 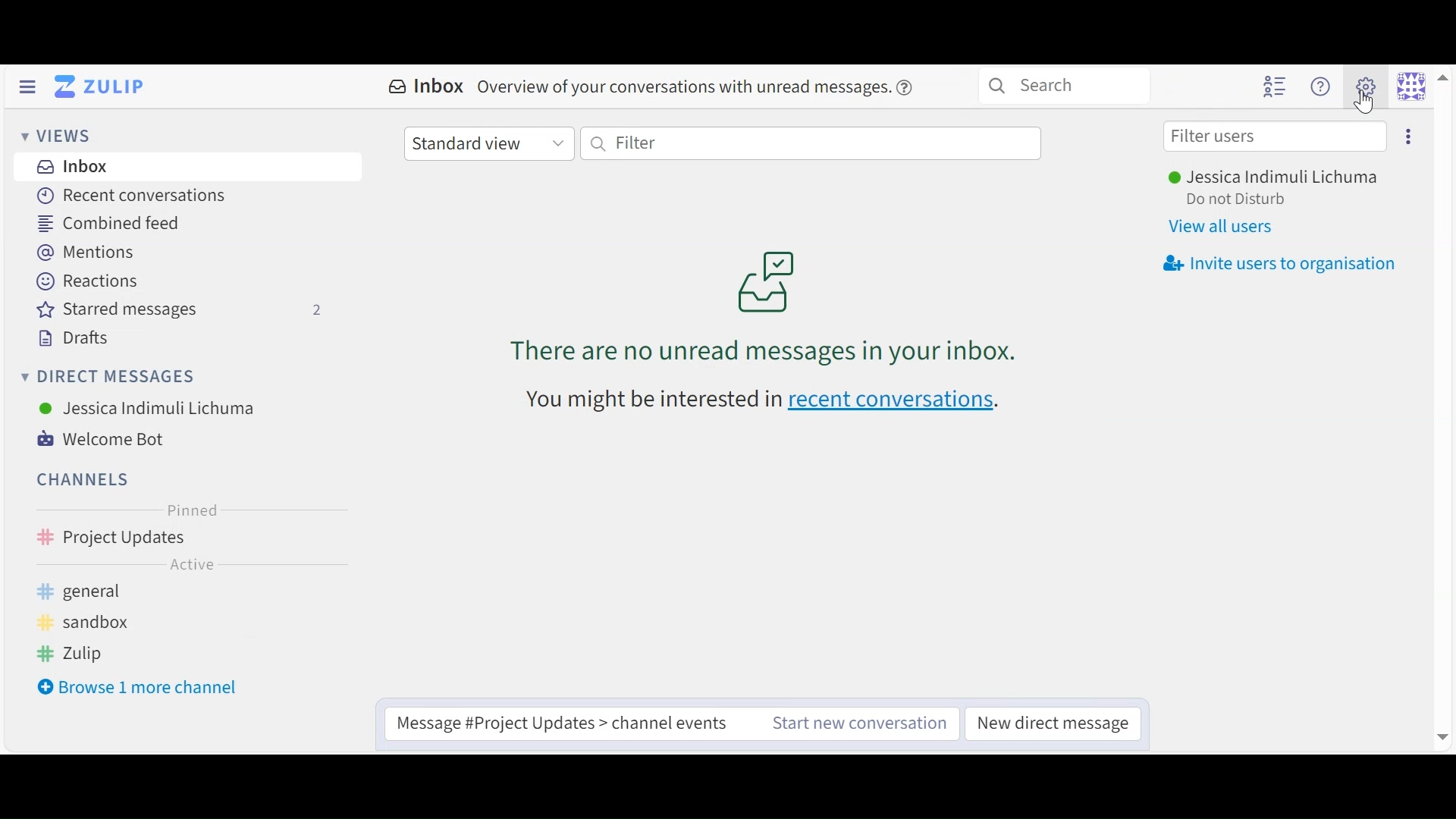 I want to click on Invite users to organisation, so click(x=1278, y=263).